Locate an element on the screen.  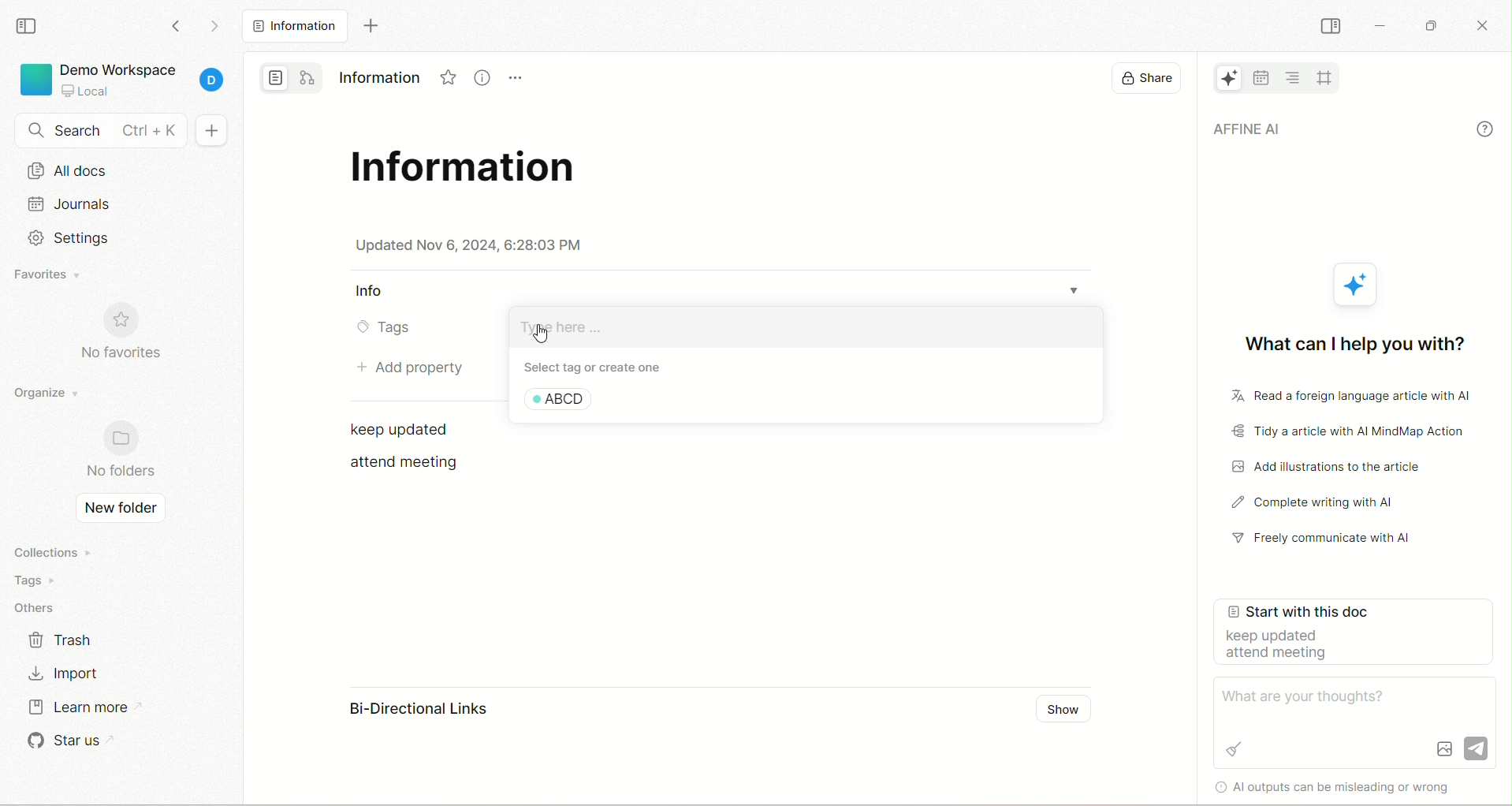
favorites is located at coordinates (48, 274).